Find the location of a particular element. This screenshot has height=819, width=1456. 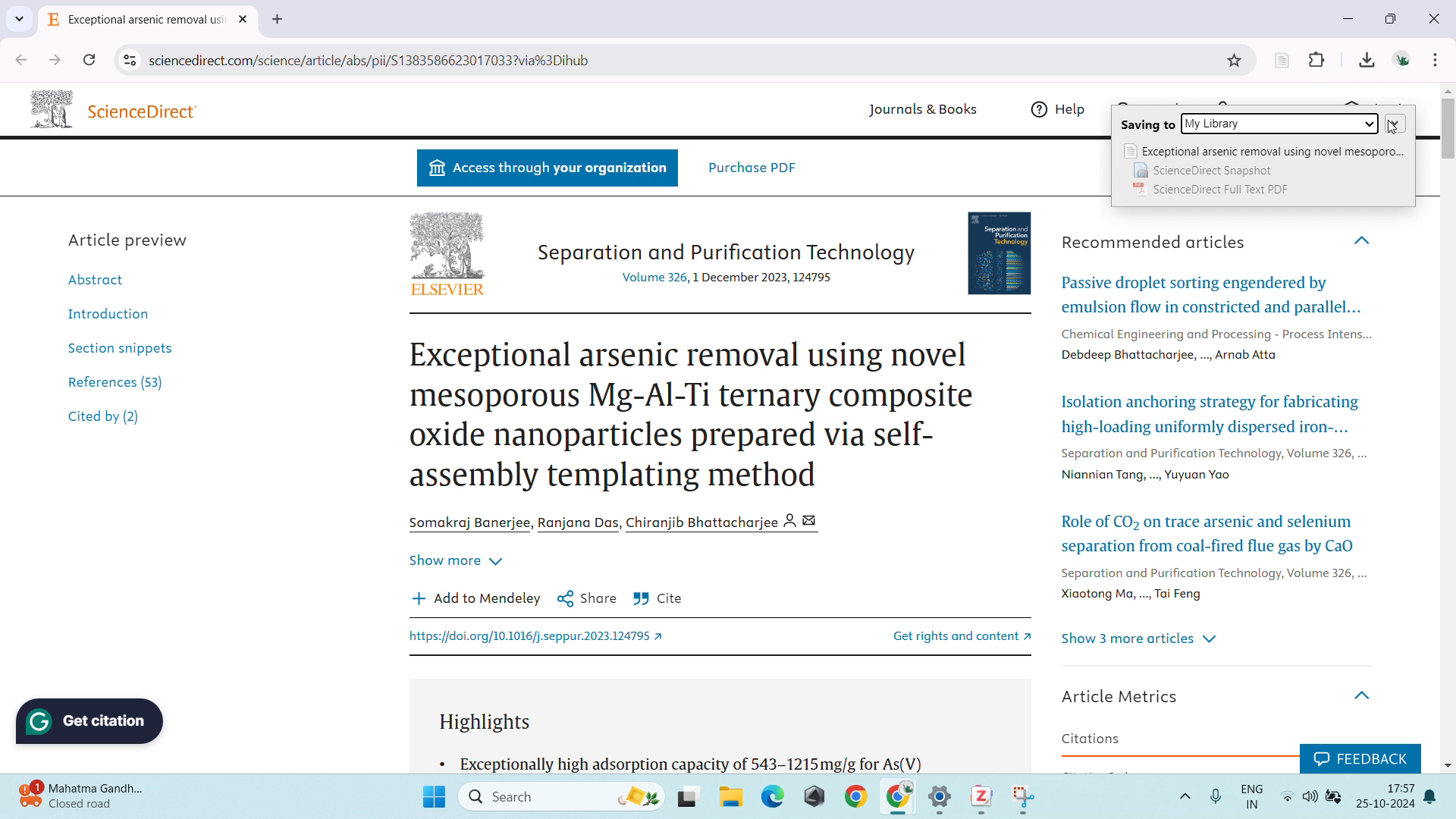

search for tabs is located at coordinates (19, 19).